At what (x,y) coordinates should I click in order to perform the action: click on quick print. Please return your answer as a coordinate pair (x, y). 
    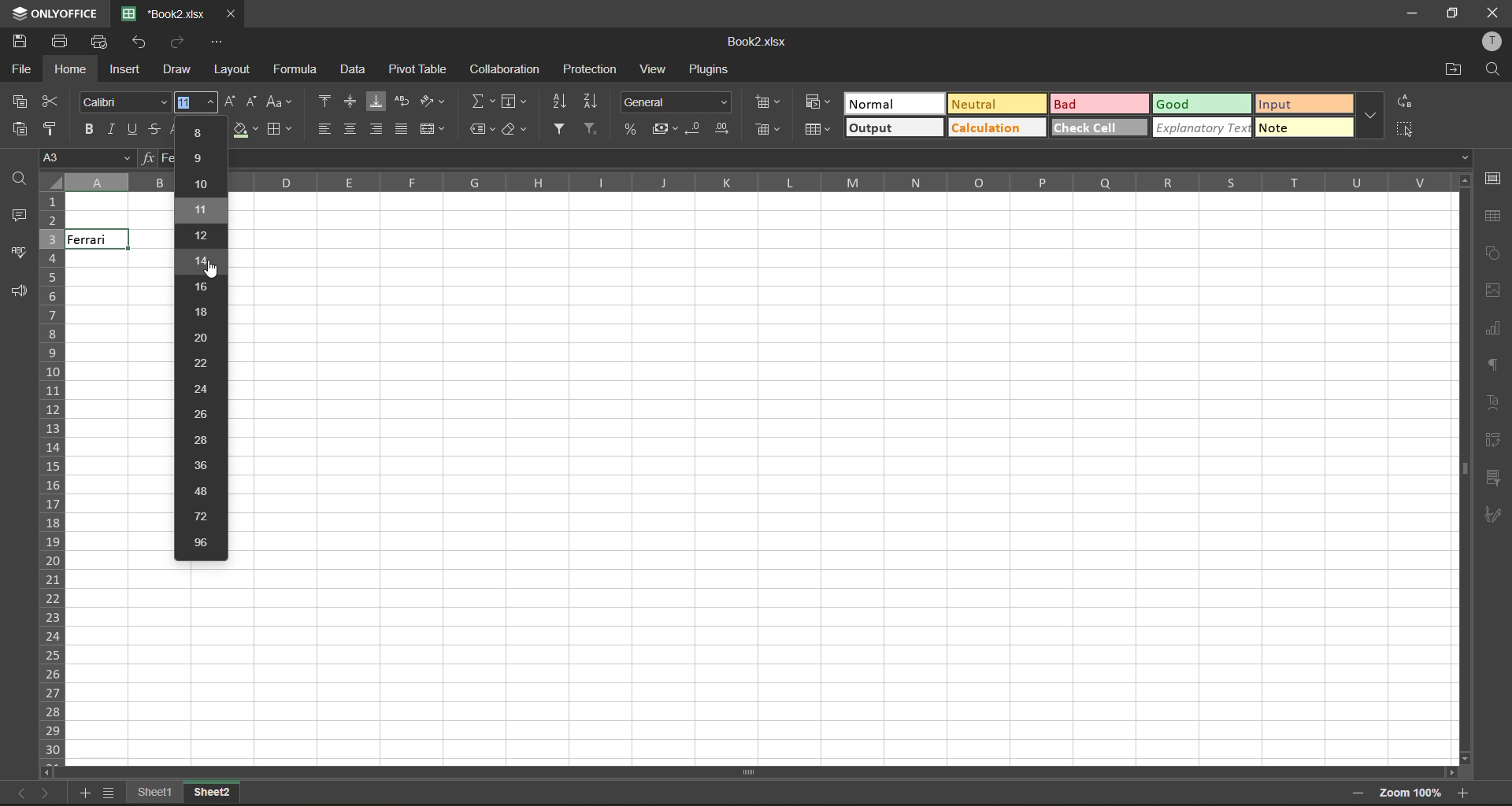
    Looking at the image, I should click on (101, 42).